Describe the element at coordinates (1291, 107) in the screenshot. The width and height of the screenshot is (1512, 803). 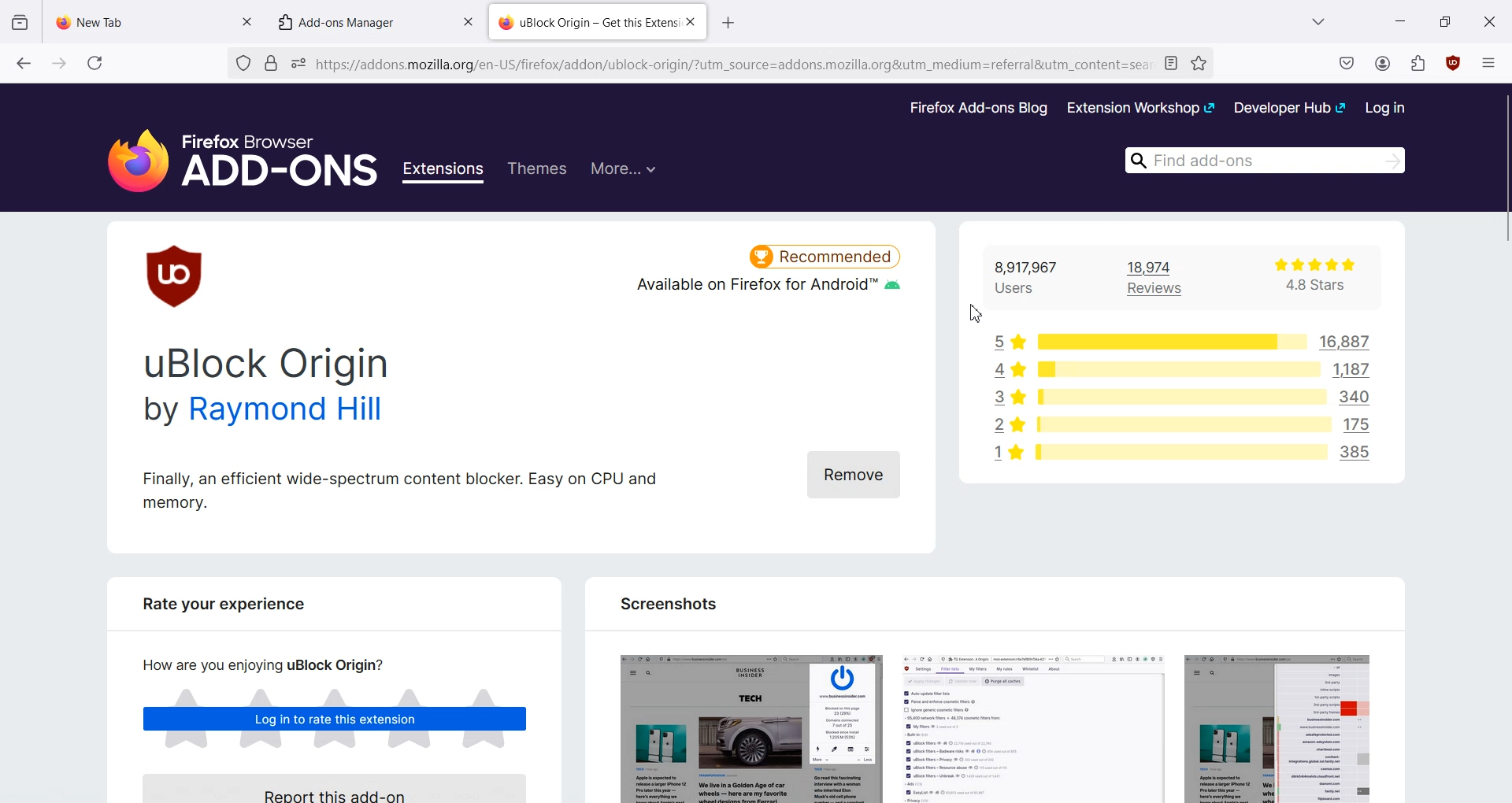
I see `Developer Hub` at that location.